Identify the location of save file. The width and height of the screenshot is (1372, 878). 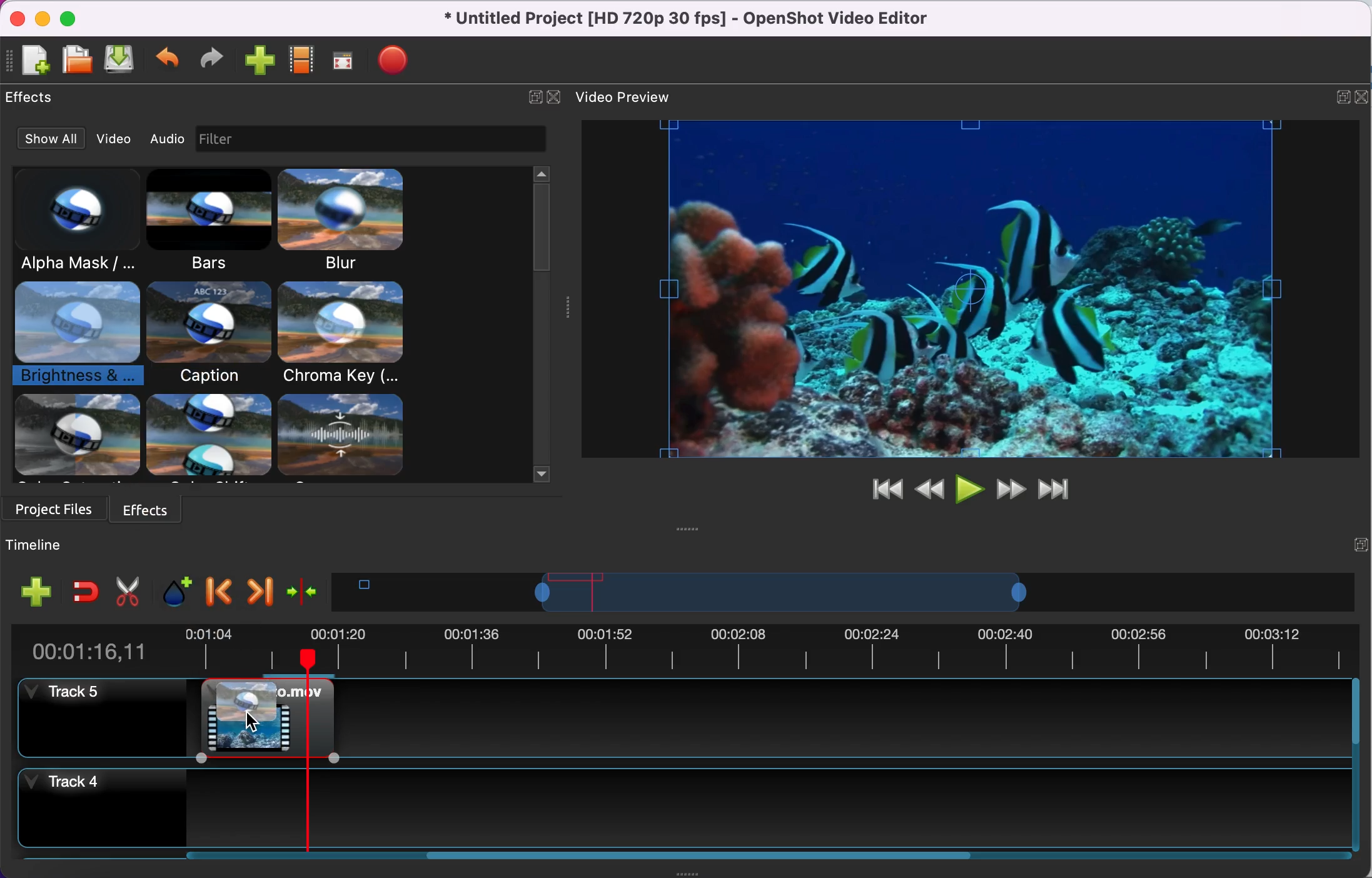
(122, 61).